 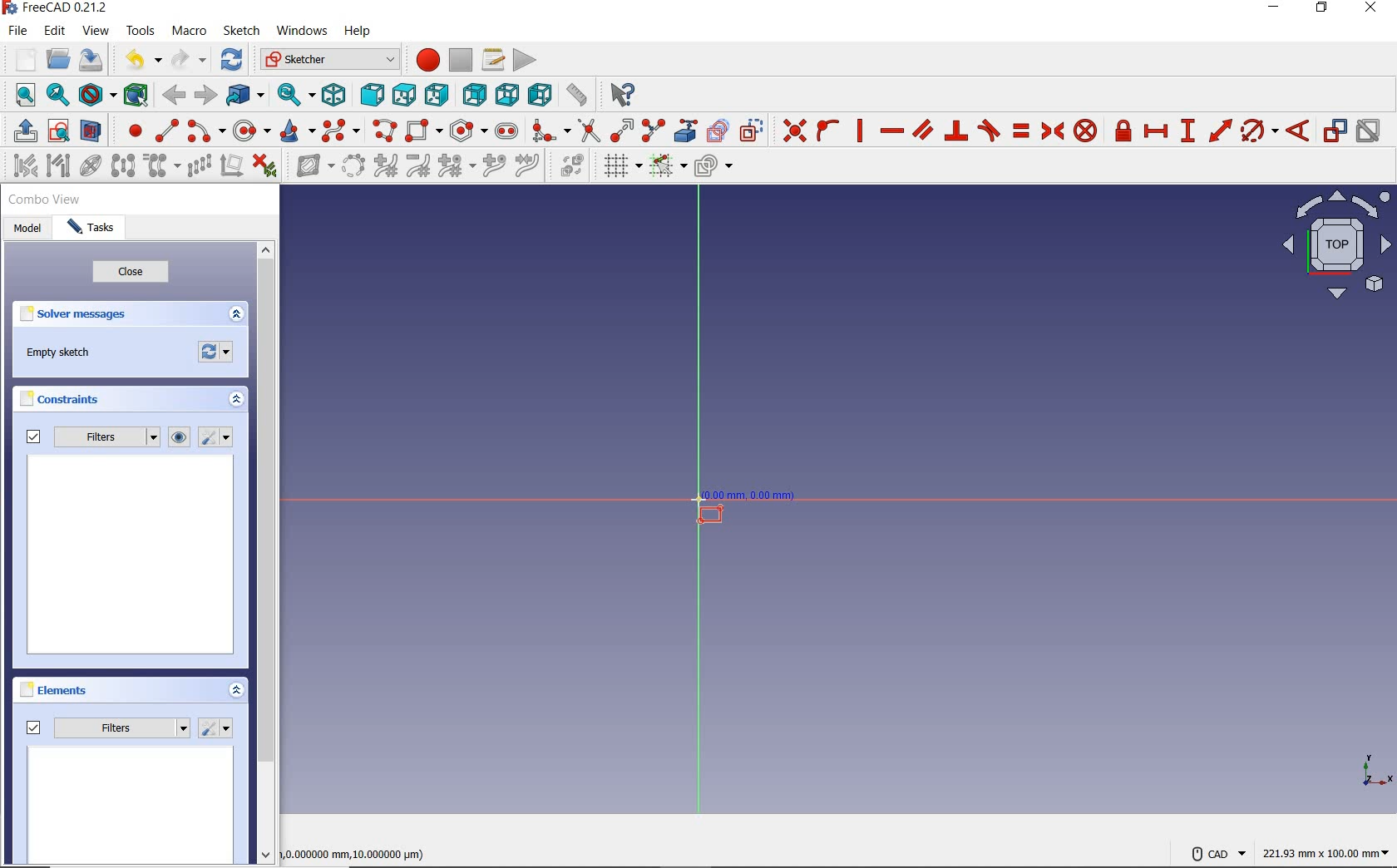 I want to click on create rectangle, so click(x=424, y=130).